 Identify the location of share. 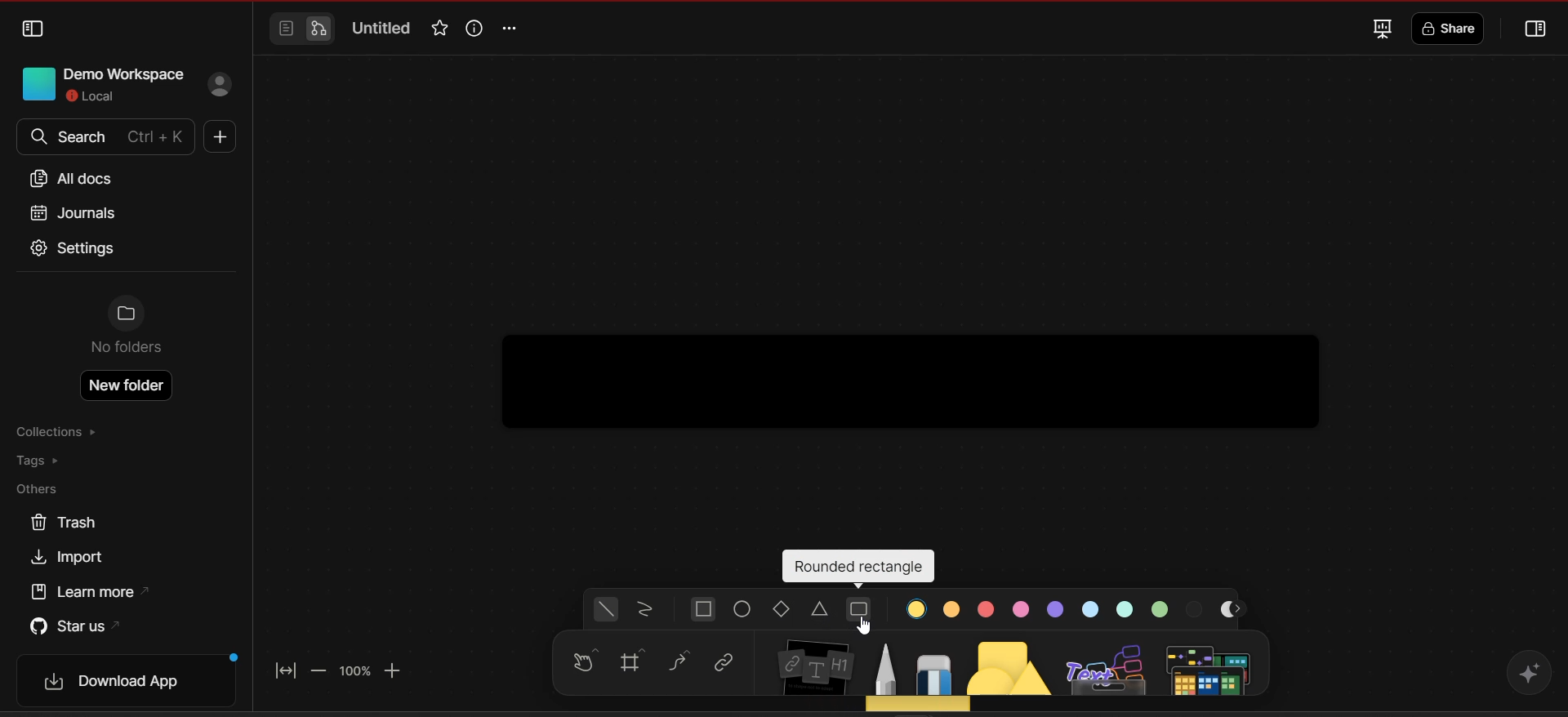
(1451, 29).